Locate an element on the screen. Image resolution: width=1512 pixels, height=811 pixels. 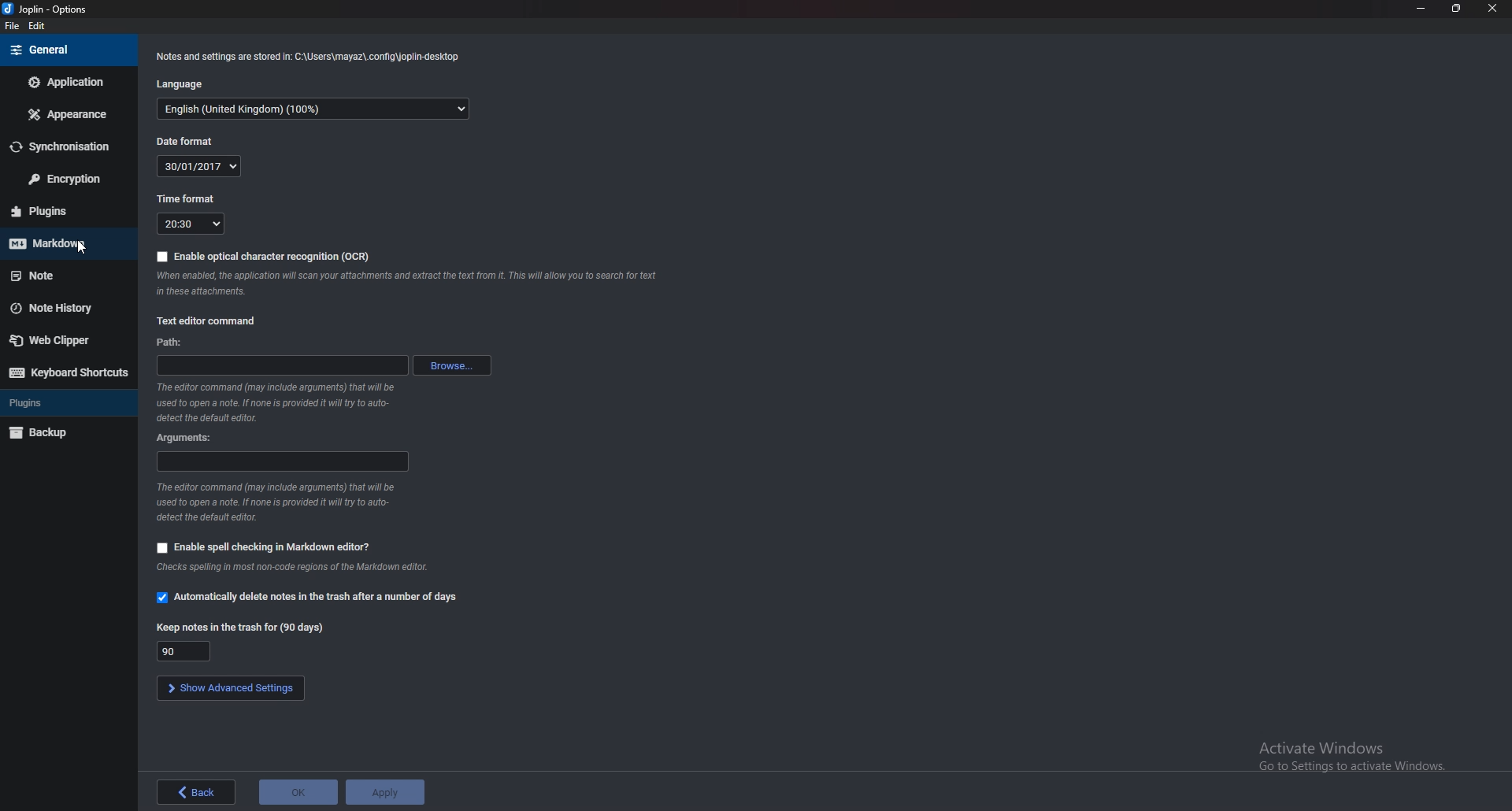
info is located at coordinates (312, 55).